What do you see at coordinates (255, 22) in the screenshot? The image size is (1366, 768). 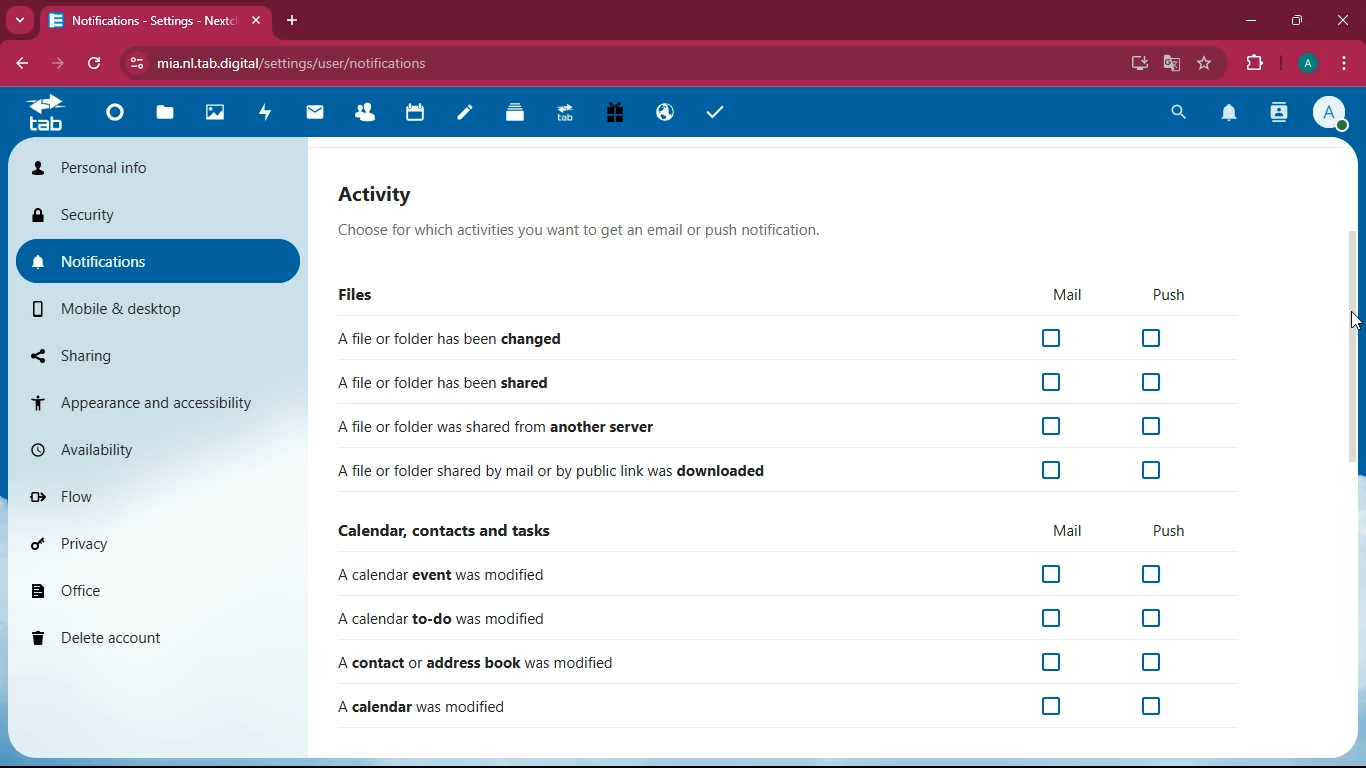 I see `close` at bounding box center [255, 22].